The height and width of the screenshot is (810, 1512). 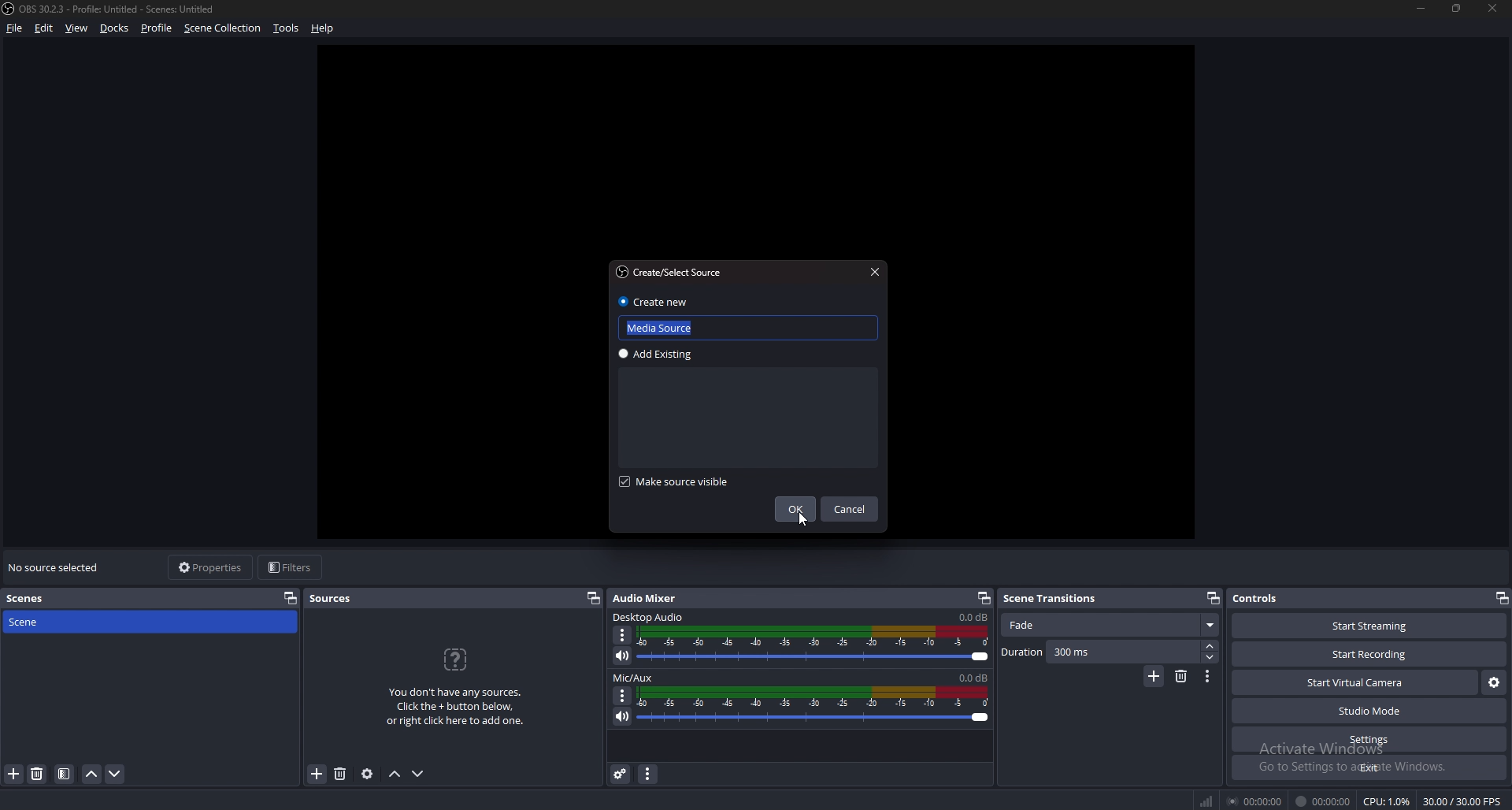 What do you see at coordinates (77, 29) in the screenshot?
I see `view` at bounding box center [77, 29].